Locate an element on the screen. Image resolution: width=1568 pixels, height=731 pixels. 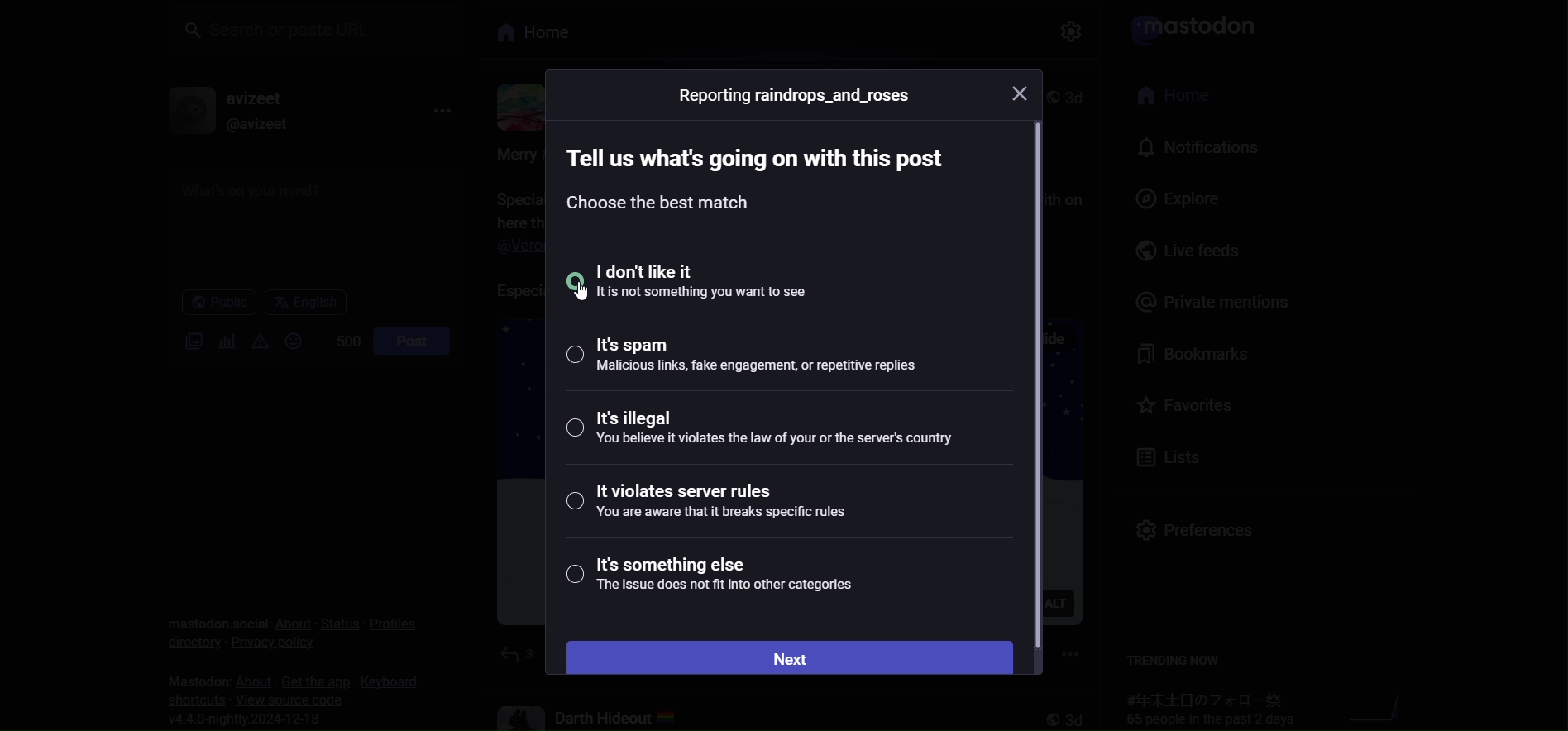
instruction is located at coordinates (745, 176).